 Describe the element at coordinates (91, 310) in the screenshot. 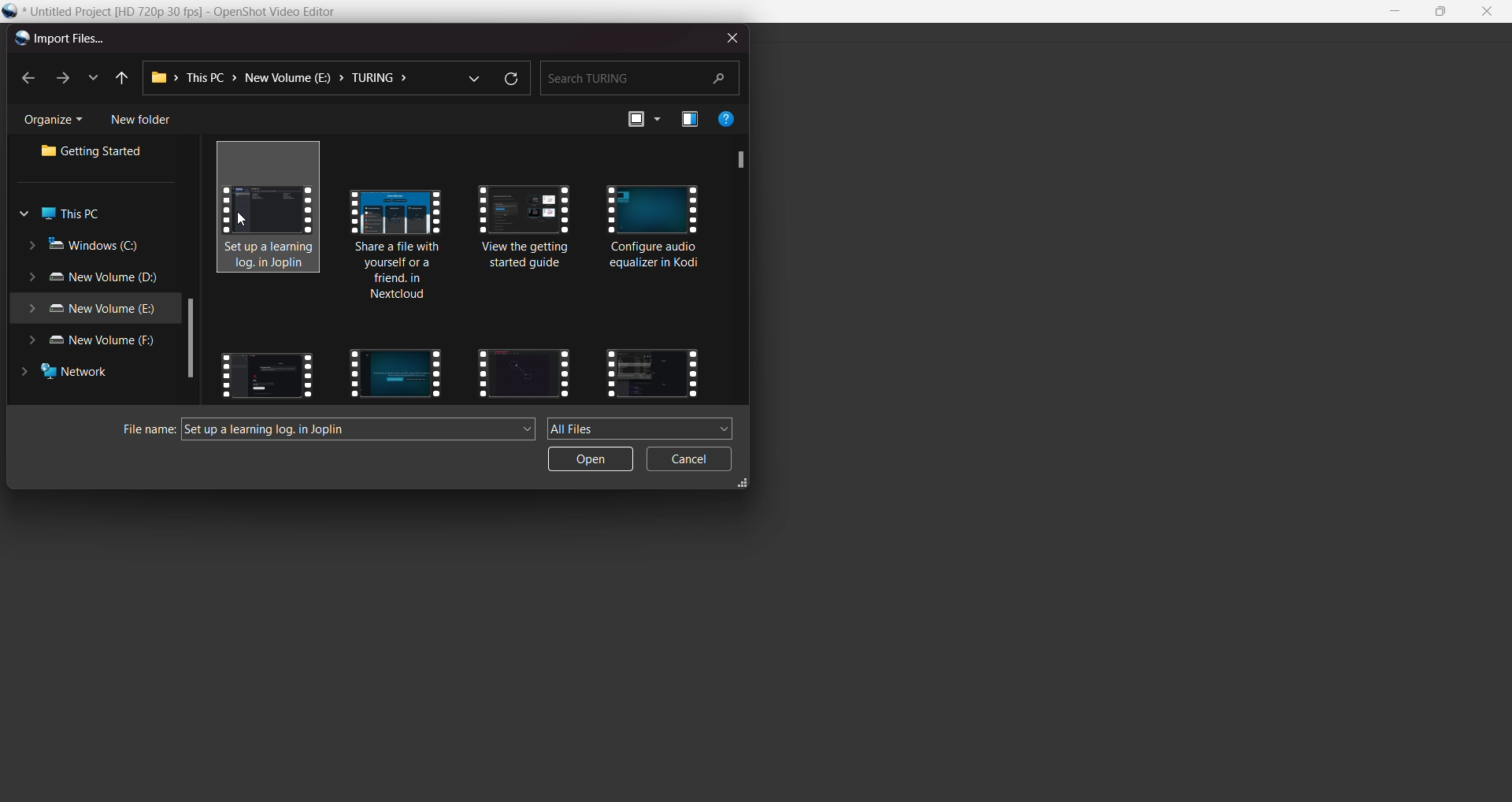

I see `new volume e` at that location.